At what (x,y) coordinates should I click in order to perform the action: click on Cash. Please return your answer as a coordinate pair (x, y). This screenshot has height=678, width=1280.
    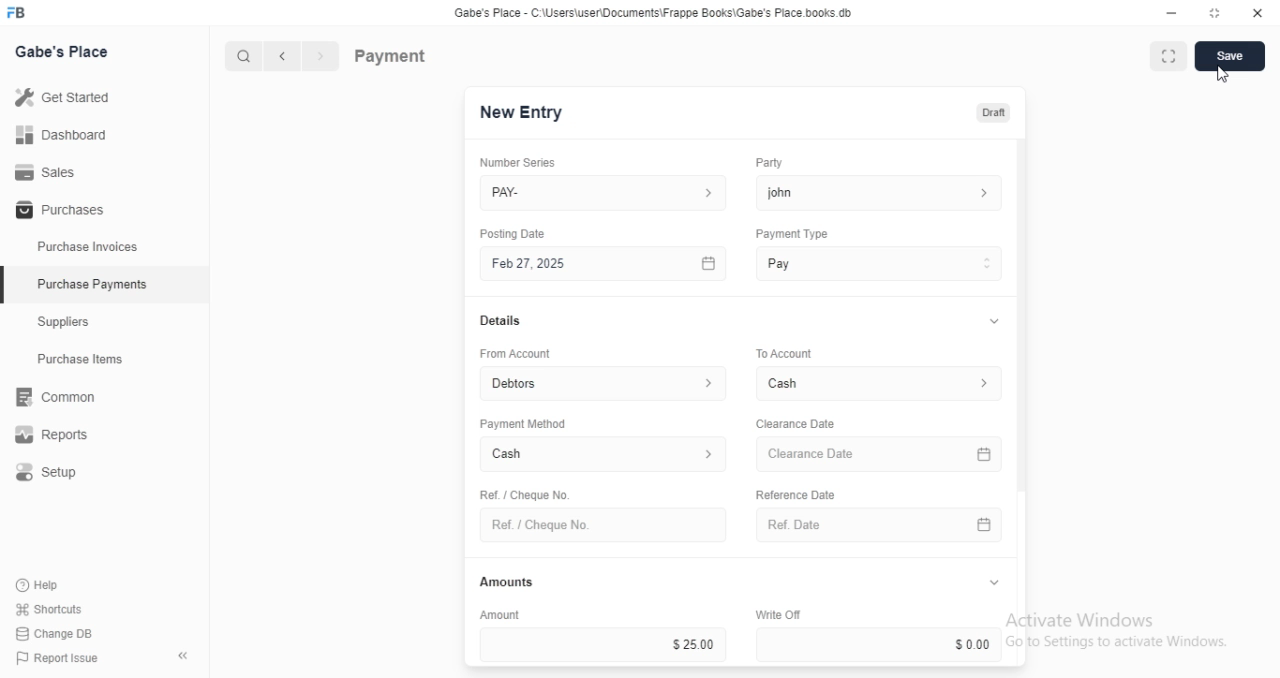
    Looking at the image, I should click on (604, 456).